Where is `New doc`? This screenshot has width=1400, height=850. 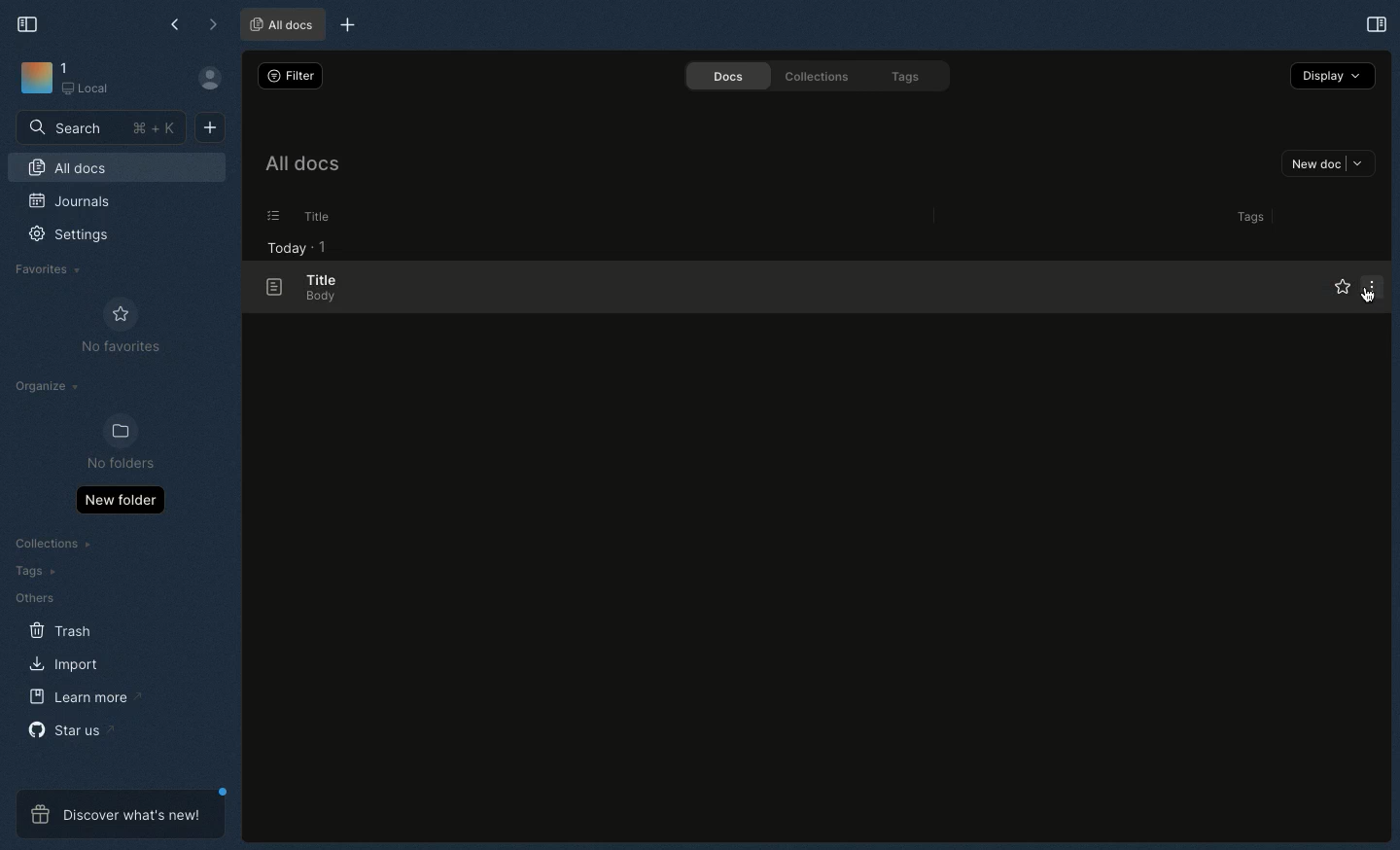
New doc is located at coordinates (1328, 165).